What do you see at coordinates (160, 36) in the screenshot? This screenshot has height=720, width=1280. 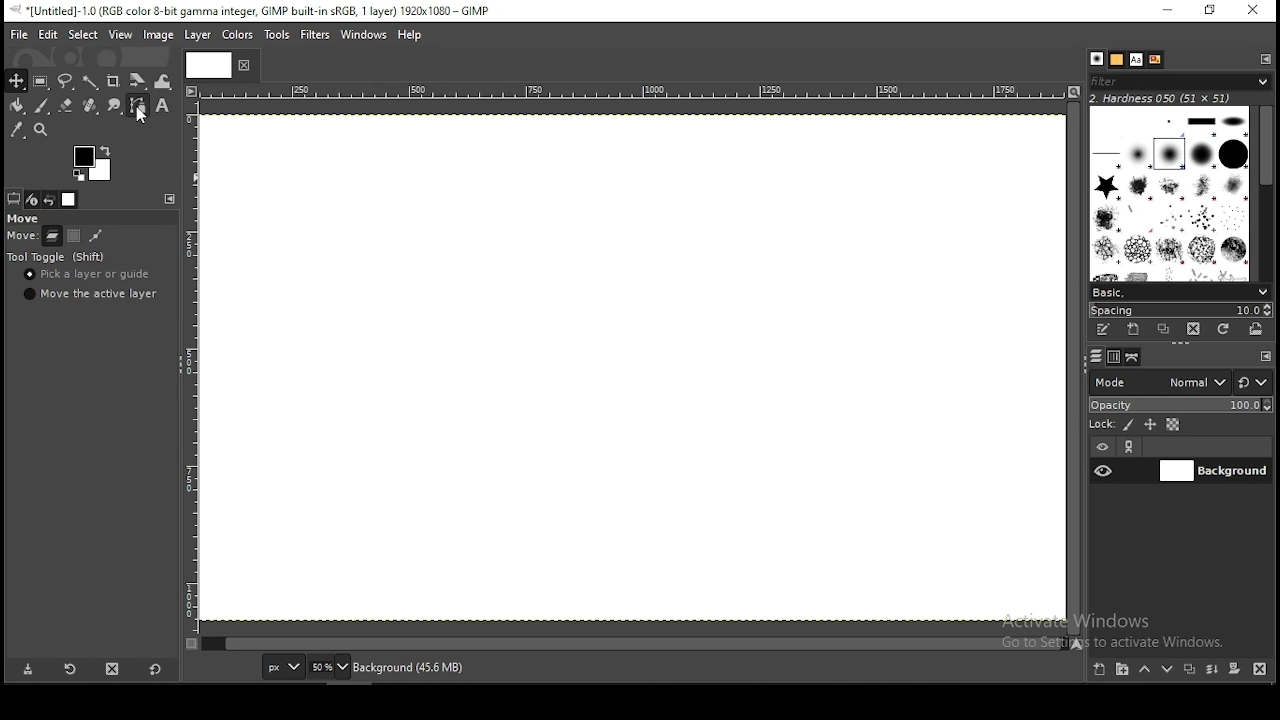 I see `image` at bounding box center [160, 36].